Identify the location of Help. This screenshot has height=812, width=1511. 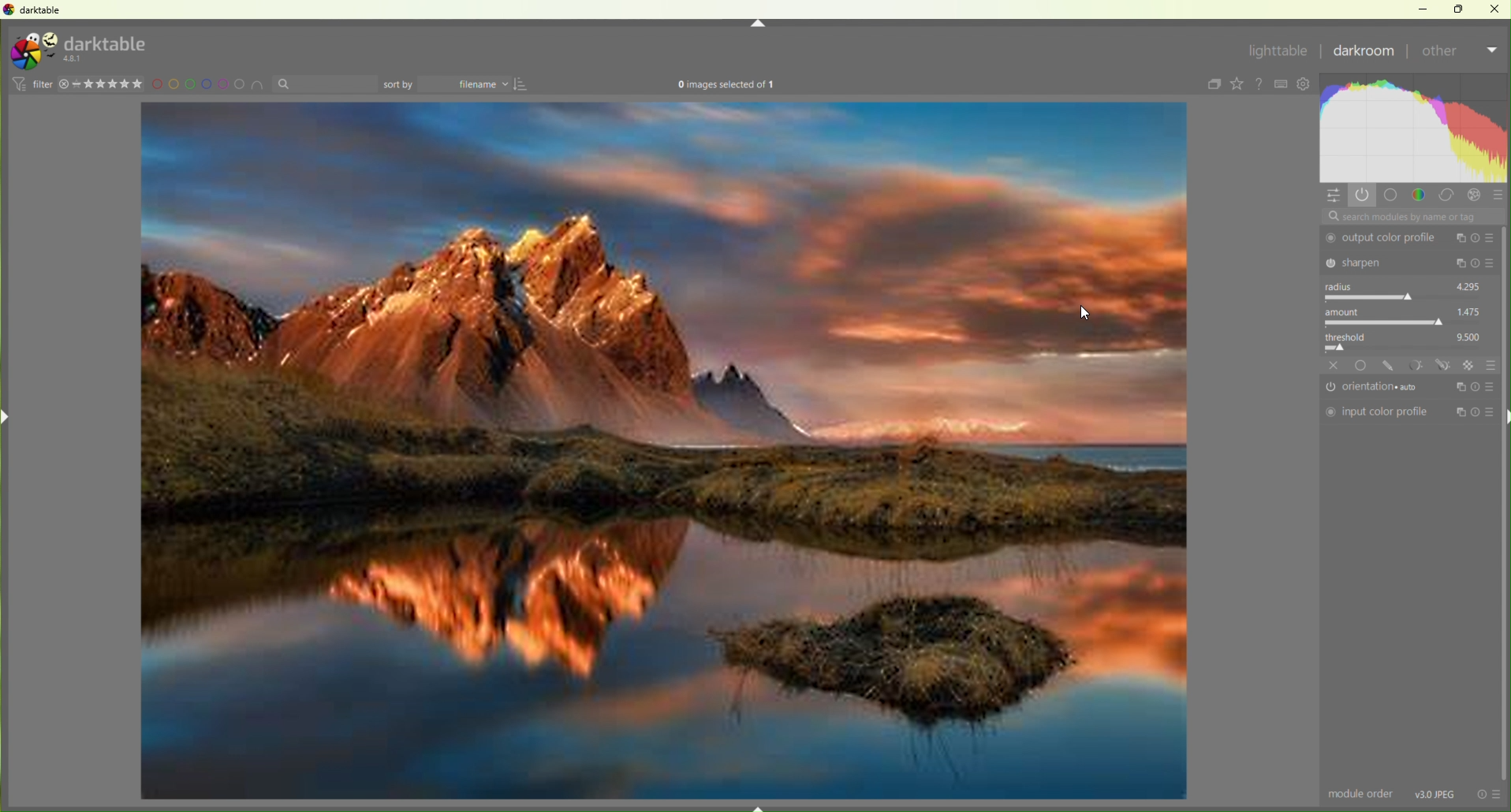
(1261, 84).